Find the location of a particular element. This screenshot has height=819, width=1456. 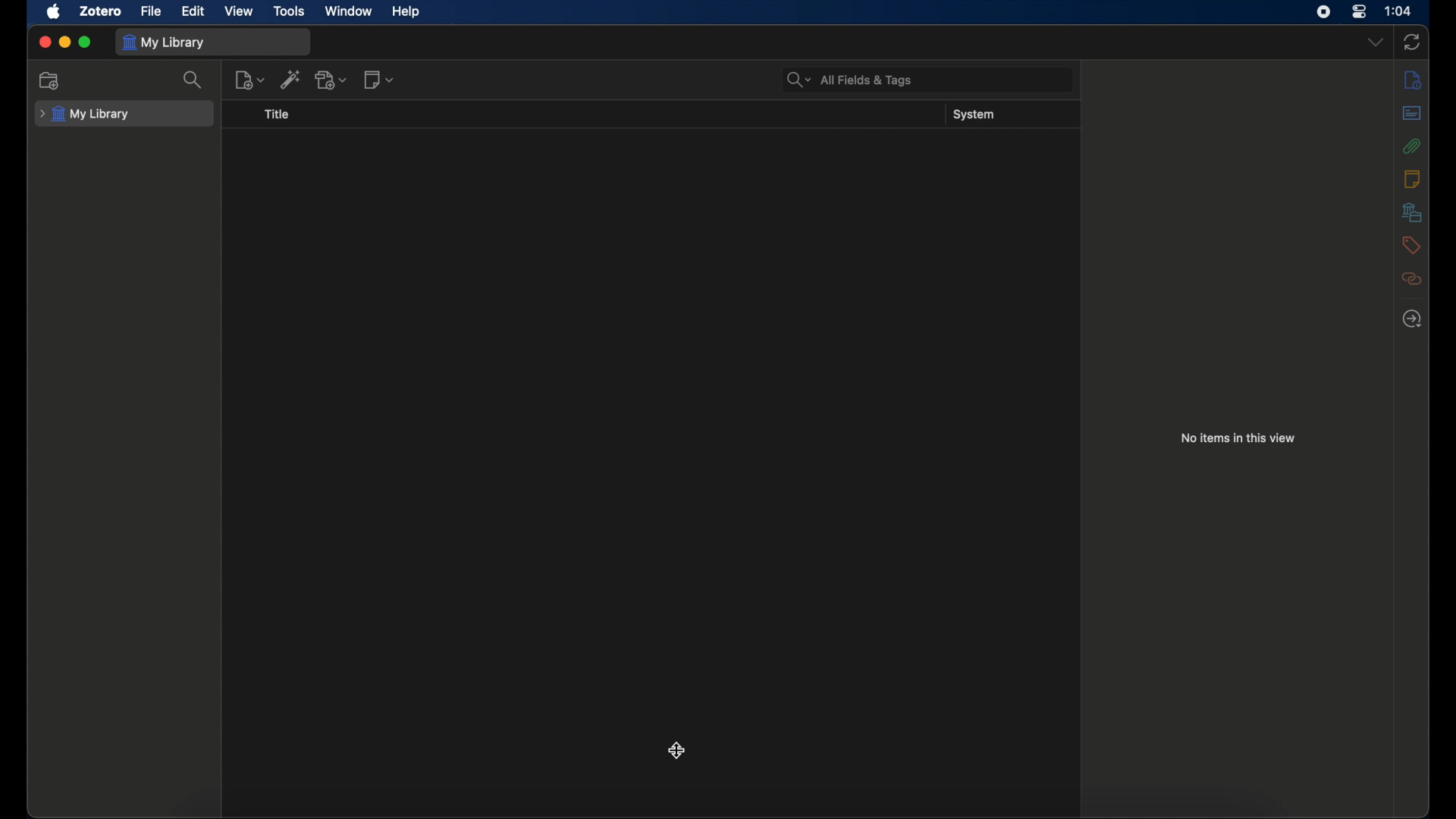

abstract is located at coordinates (1414, 114).